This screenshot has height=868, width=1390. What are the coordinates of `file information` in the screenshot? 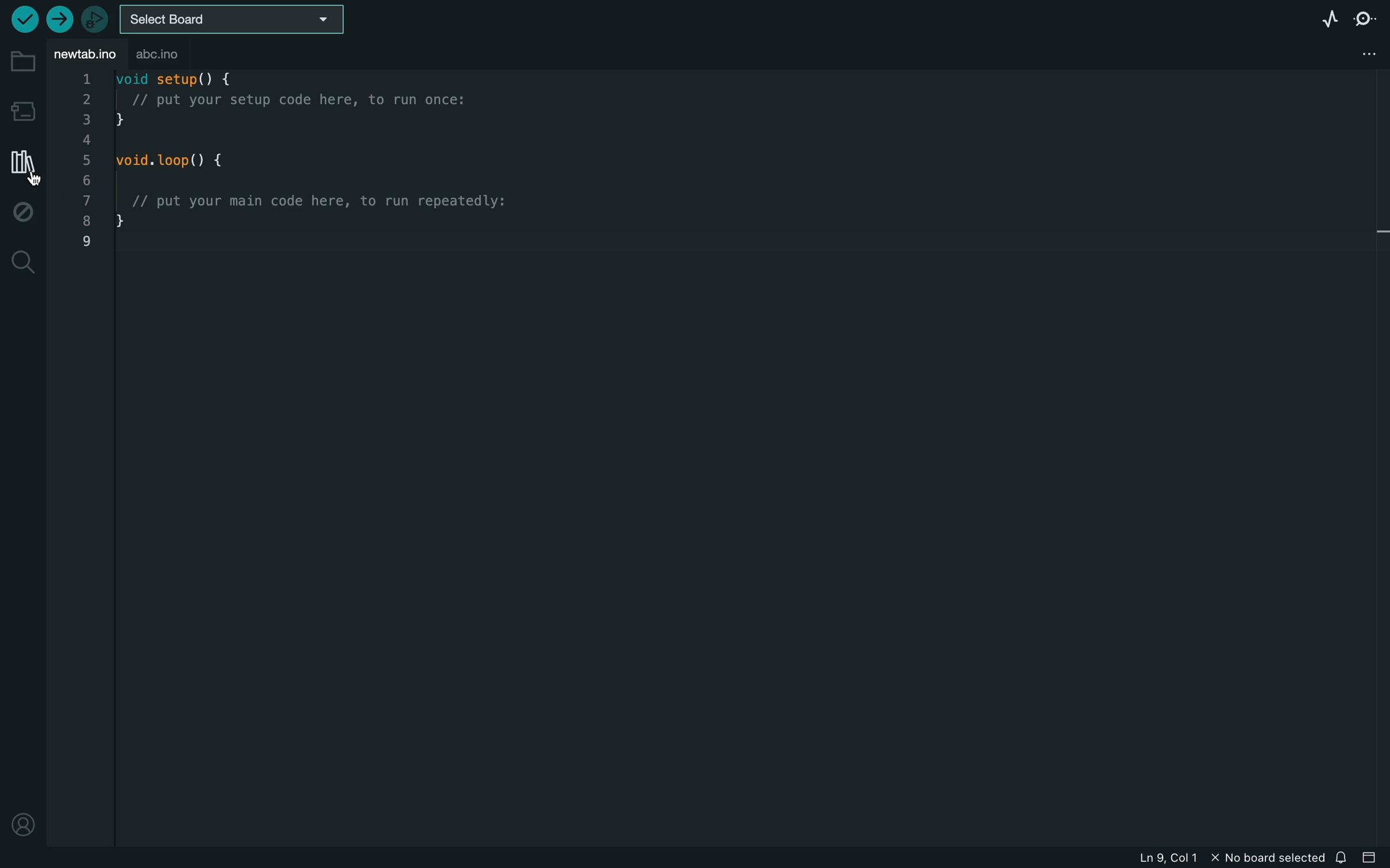 It's located at (1181, 853).